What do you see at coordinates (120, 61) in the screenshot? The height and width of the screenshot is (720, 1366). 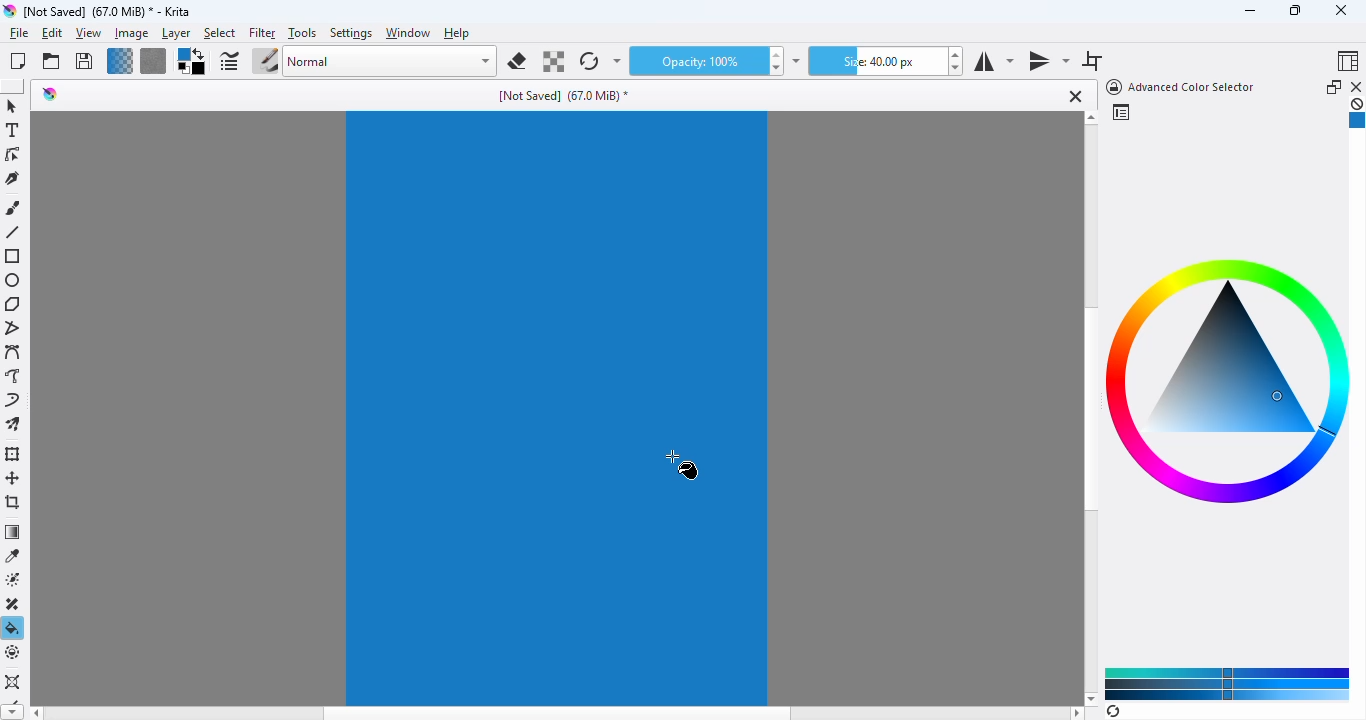 I see `fill gradients` at bounding box center [120, 61].